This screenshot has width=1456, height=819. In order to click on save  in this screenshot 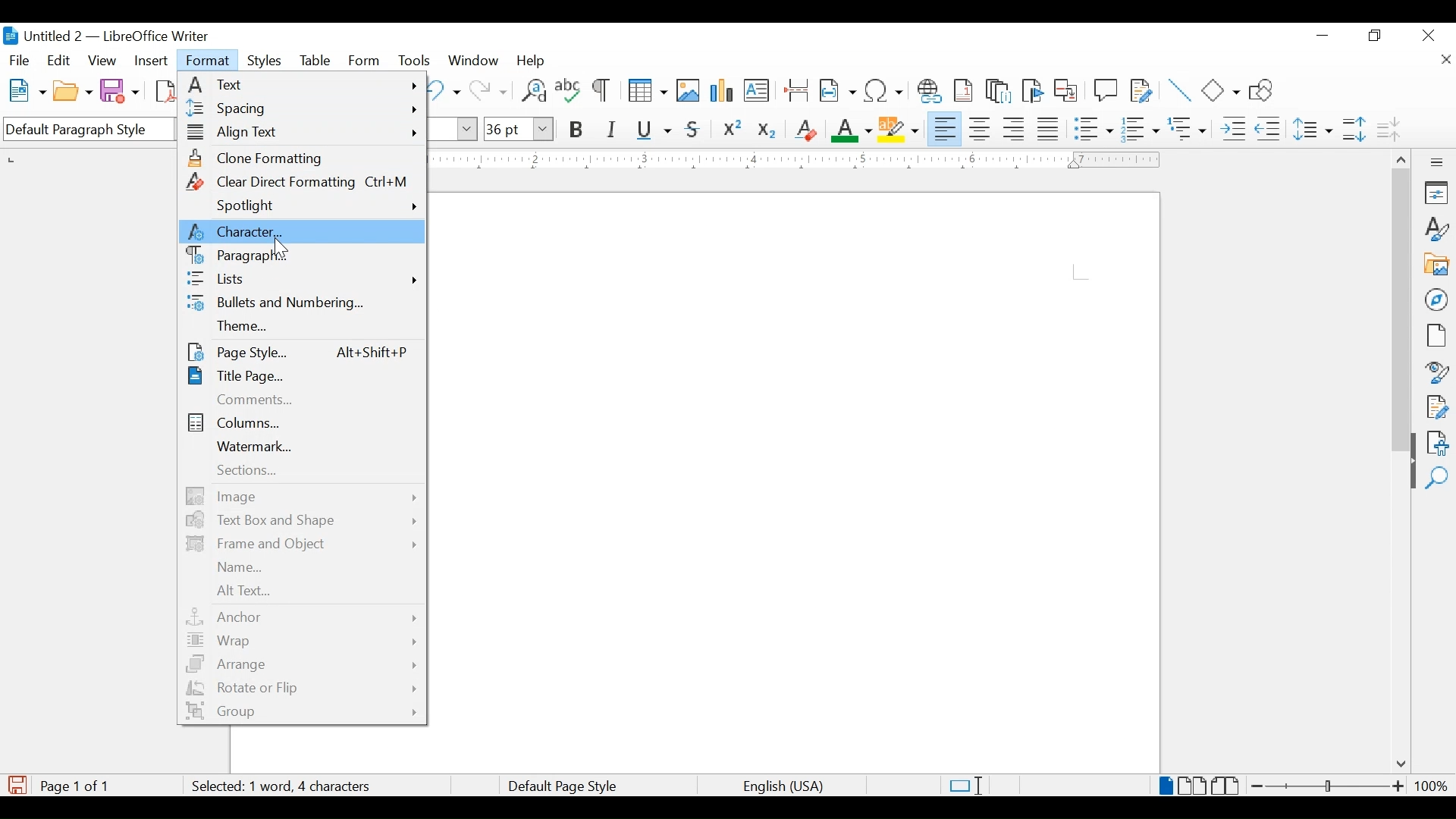, I will do `click(121, 90)`.